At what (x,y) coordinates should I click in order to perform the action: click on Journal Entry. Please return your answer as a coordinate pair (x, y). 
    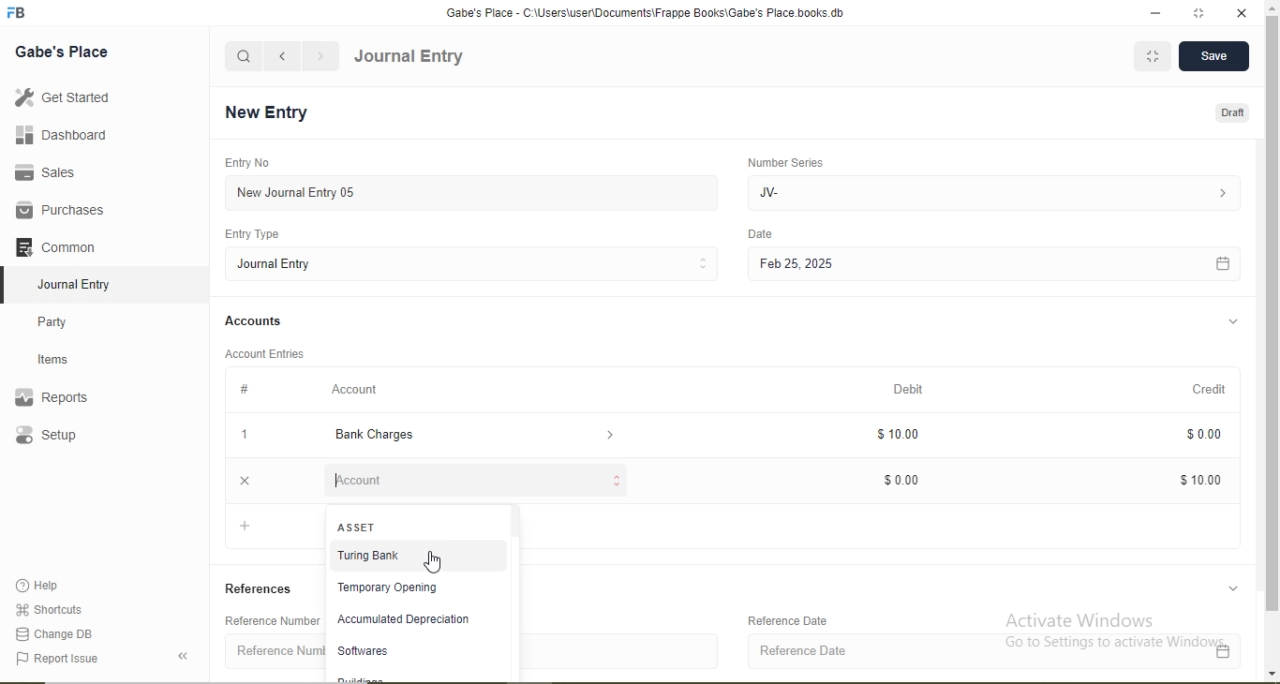
    Looking at the image, I should click on (80, 282).